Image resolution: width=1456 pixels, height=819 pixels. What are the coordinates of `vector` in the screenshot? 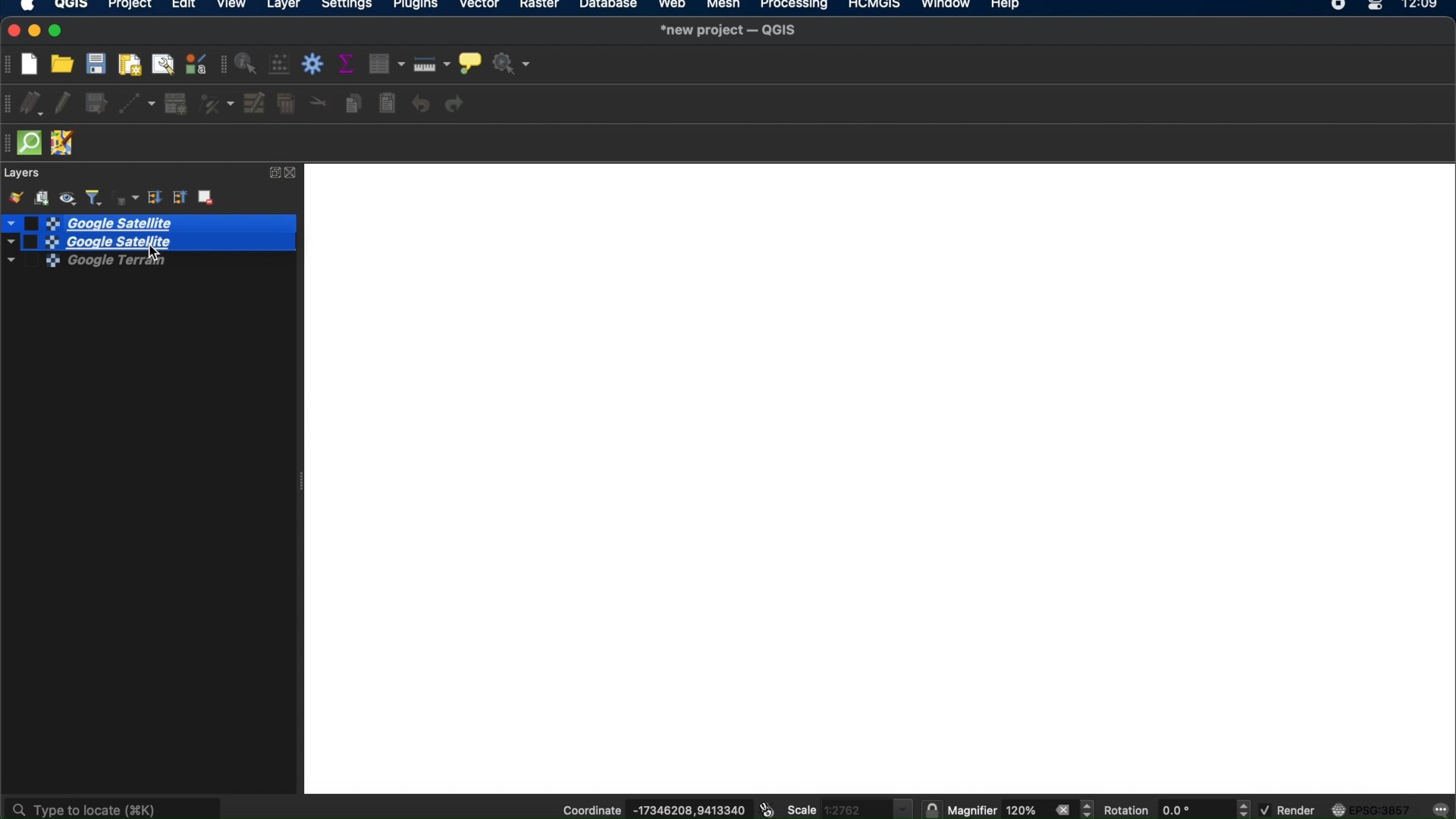 It's located at (481, 7).